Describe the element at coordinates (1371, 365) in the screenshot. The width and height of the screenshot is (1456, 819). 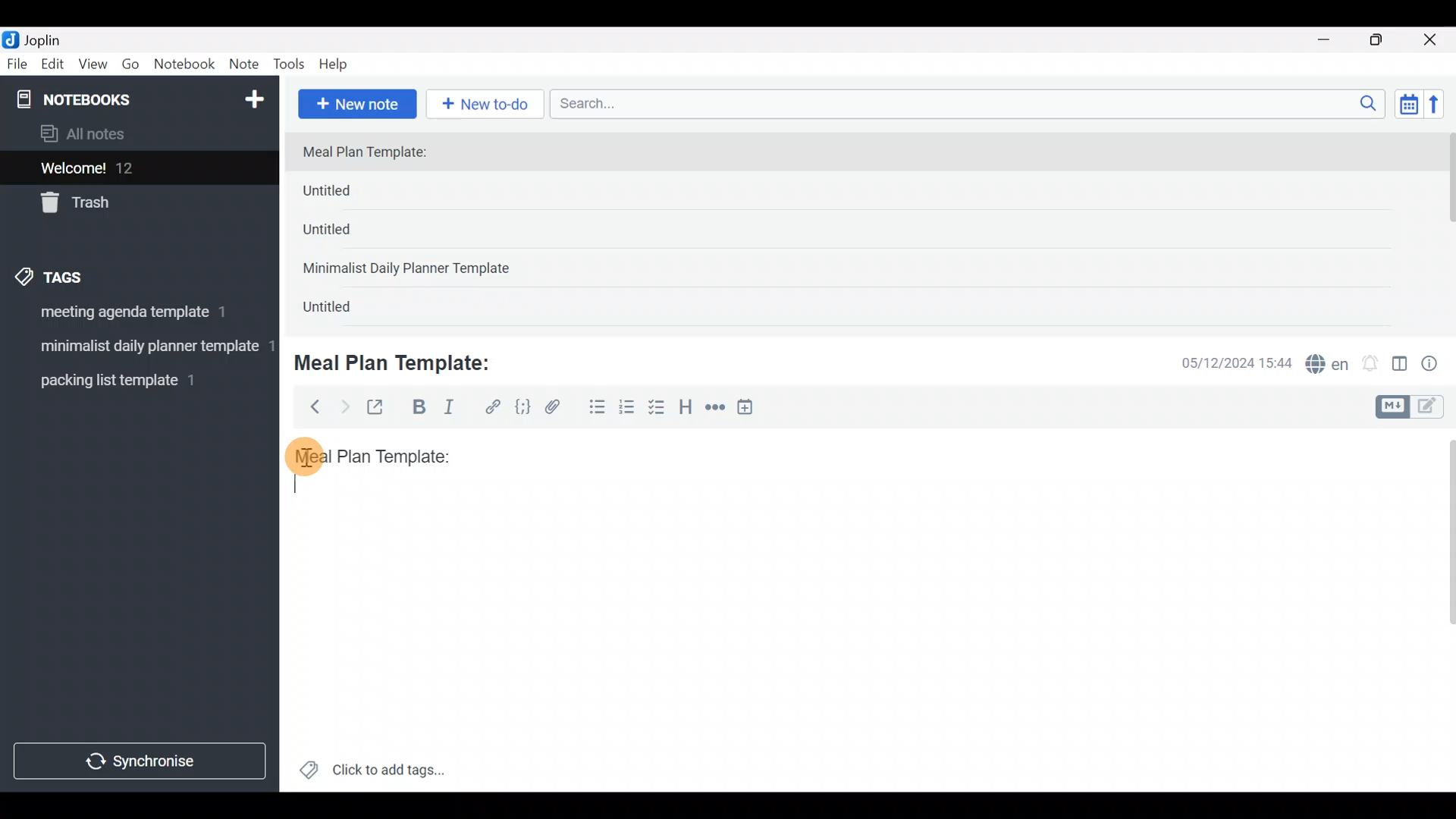
I see `Set alarm` at that location.